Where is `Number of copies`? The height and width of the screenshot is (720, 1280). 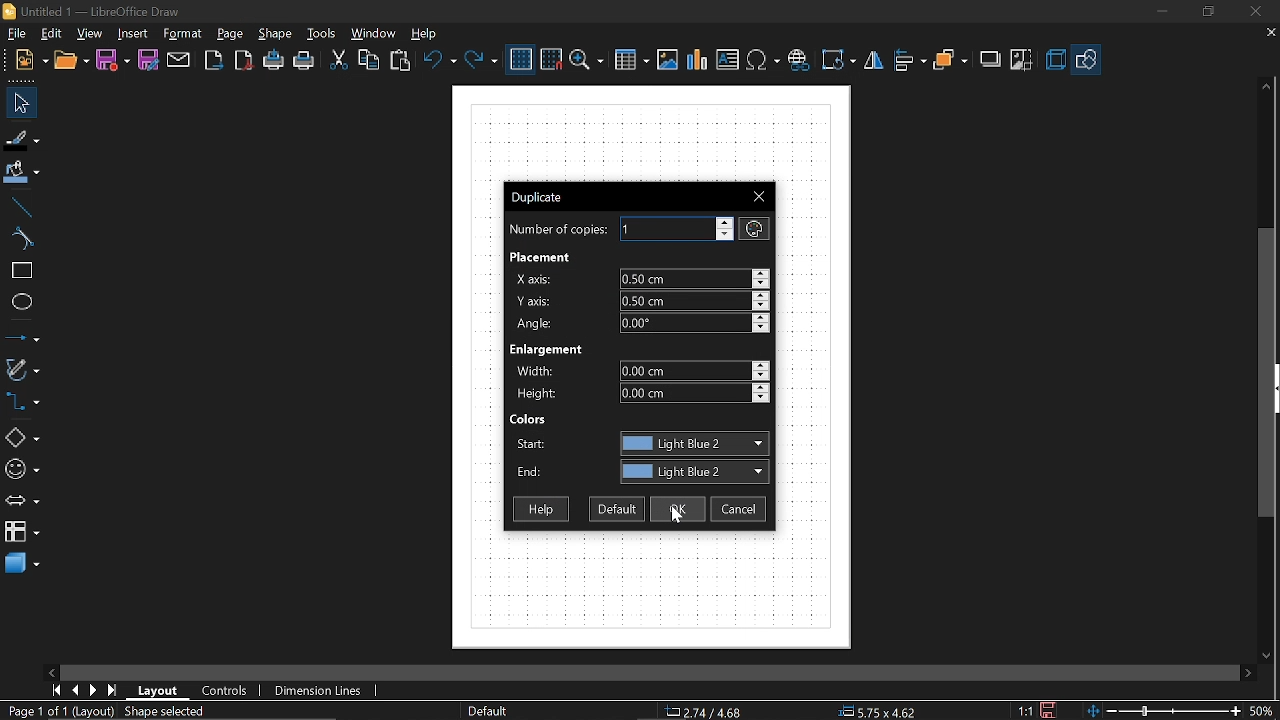 Number of copies is located at coordinates (556, 230).